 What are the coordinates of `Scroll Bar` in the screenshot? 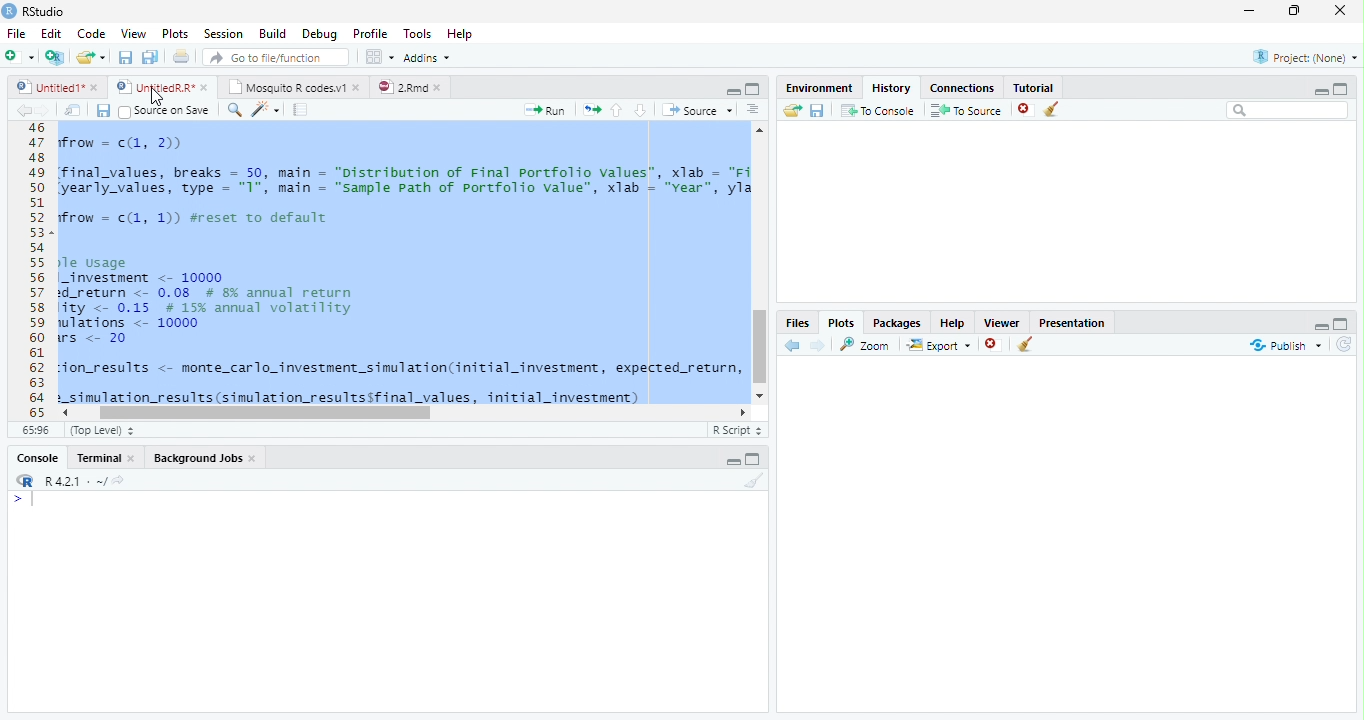 It's located at (761, 347).